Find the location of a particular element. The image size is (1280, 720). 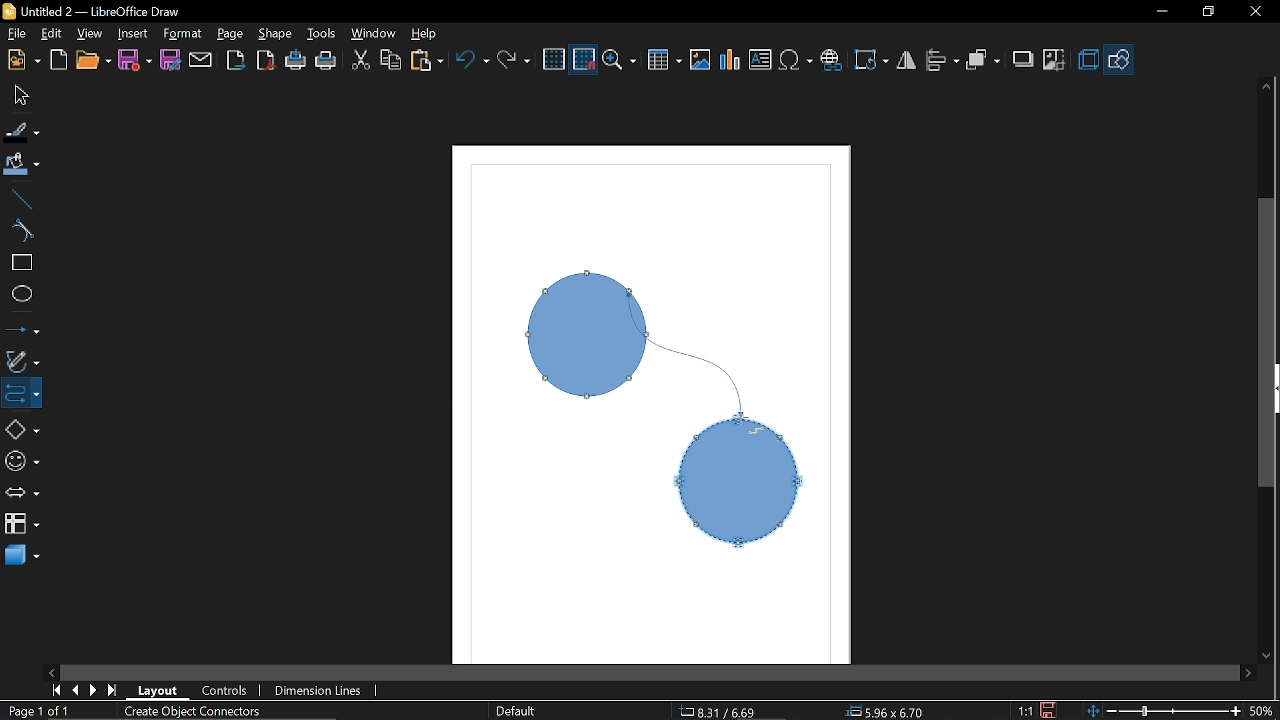

New is located at coordinates (22, 61).